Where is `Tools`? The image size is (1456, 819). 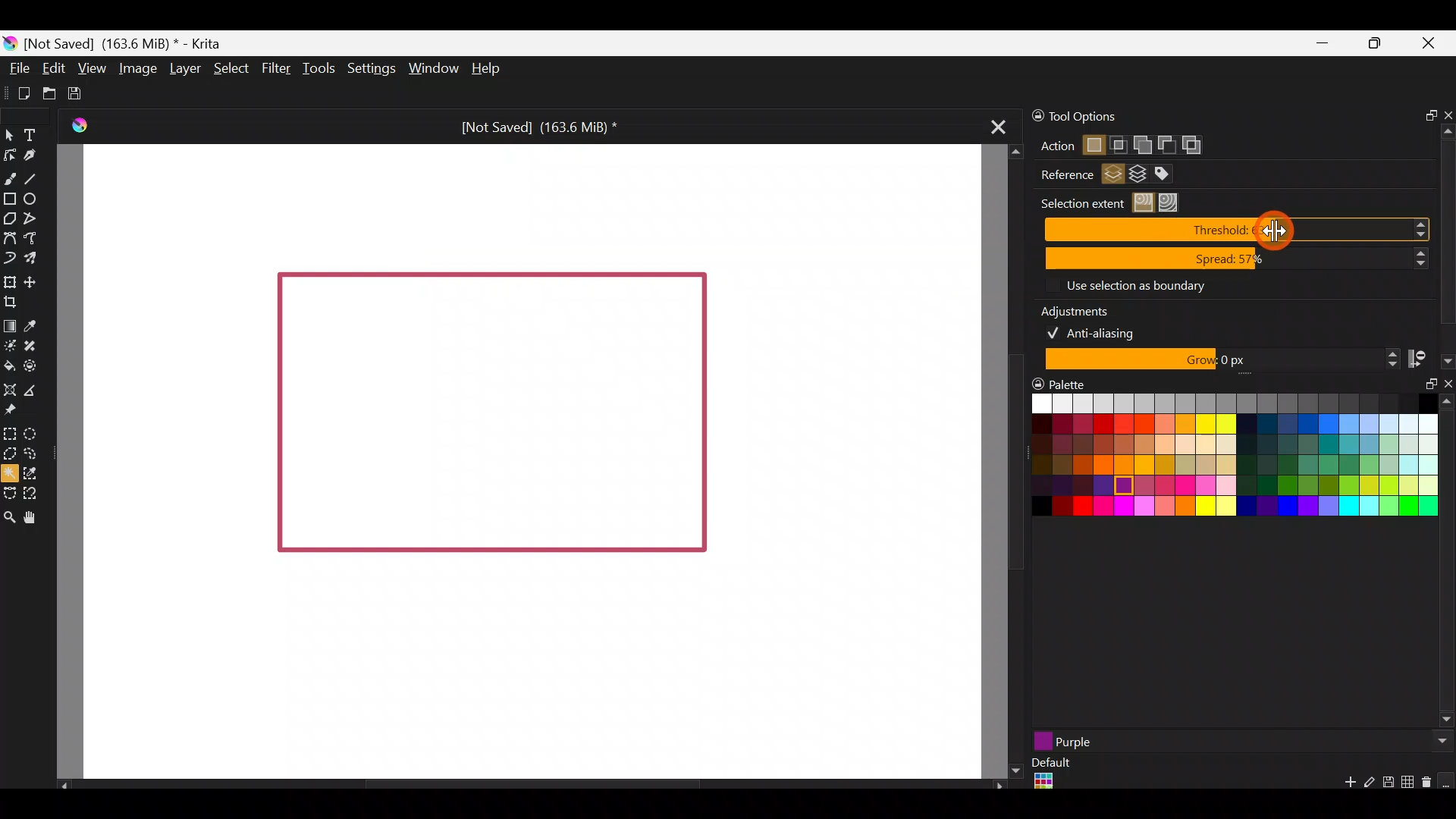
Tools is located at coordinates (315, 71).